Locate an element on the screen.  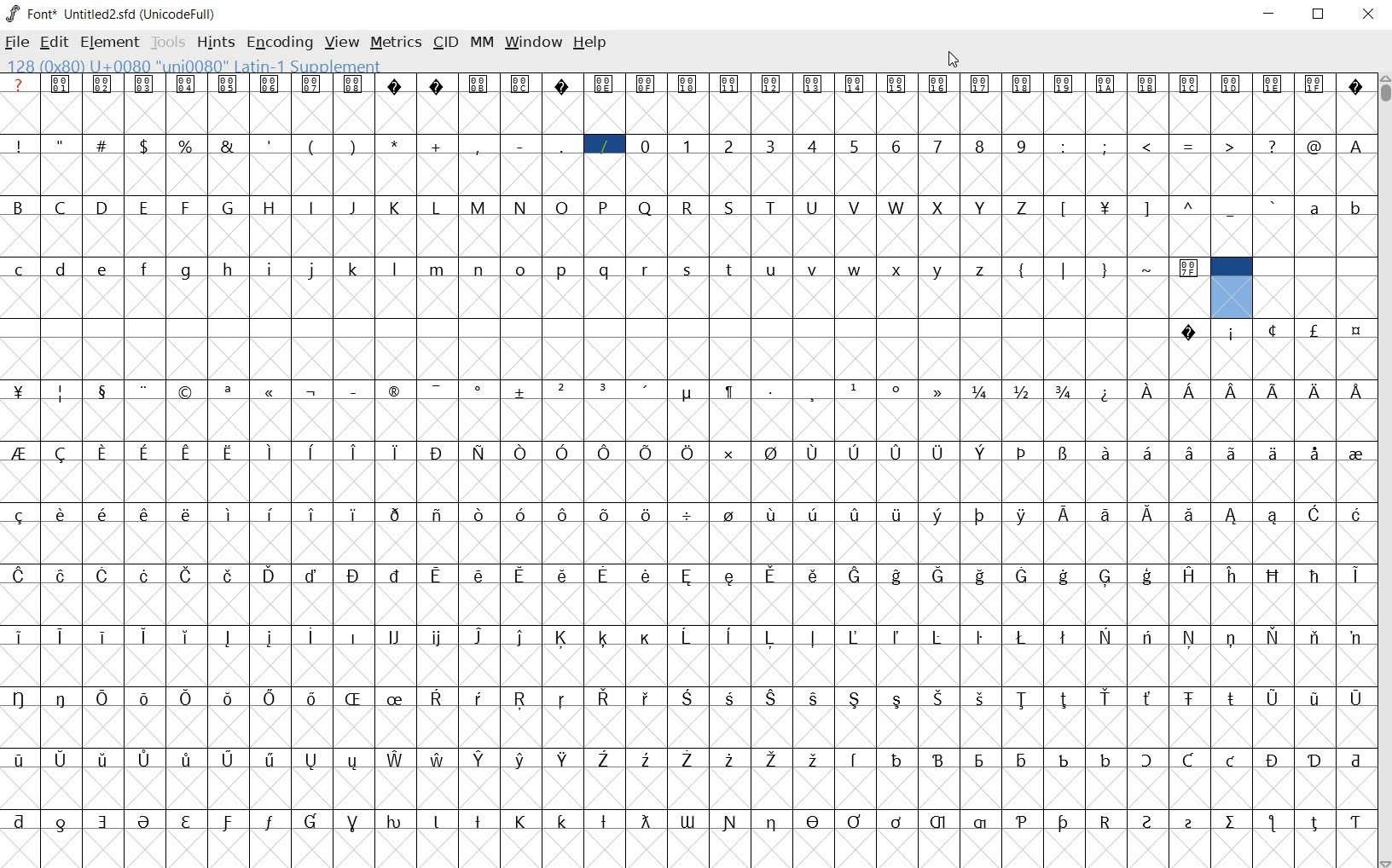
Symbol is located at coordinates (59, 759).